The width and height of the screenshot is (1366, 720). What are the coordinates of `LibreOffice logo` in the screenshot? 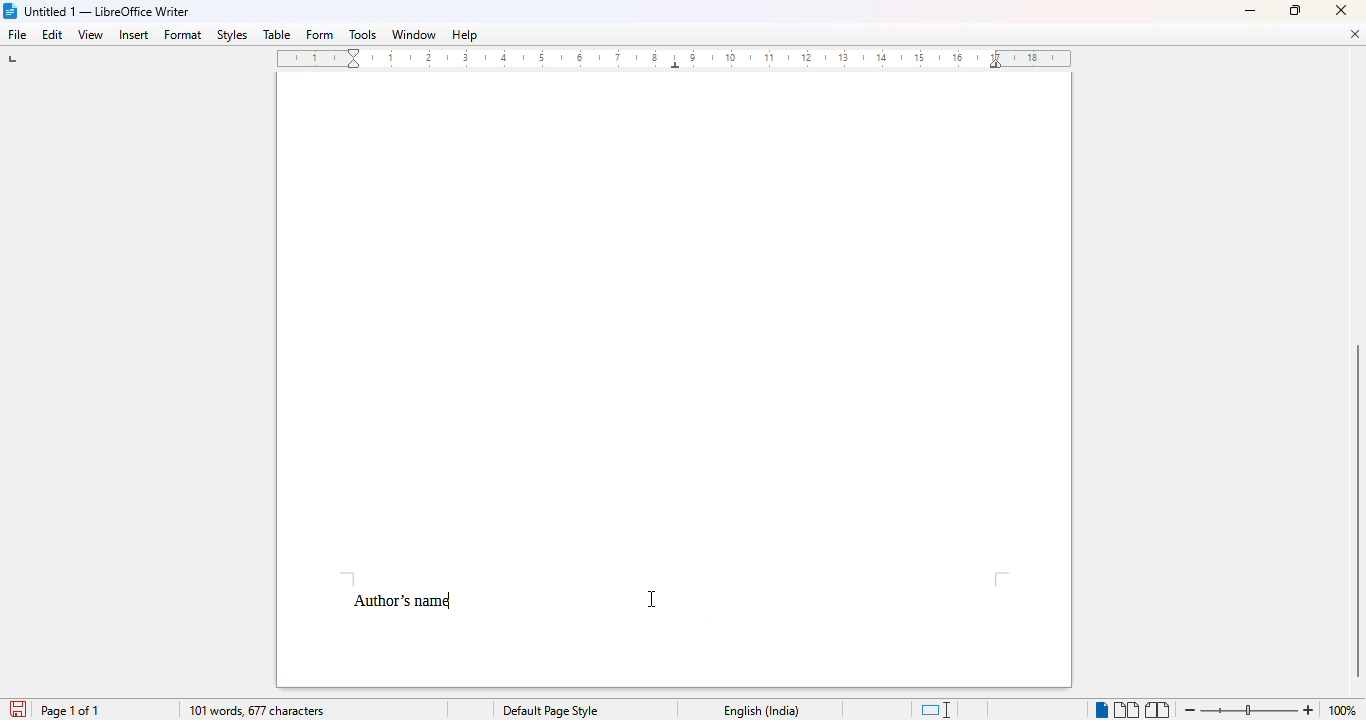 It's located at (11, 10).